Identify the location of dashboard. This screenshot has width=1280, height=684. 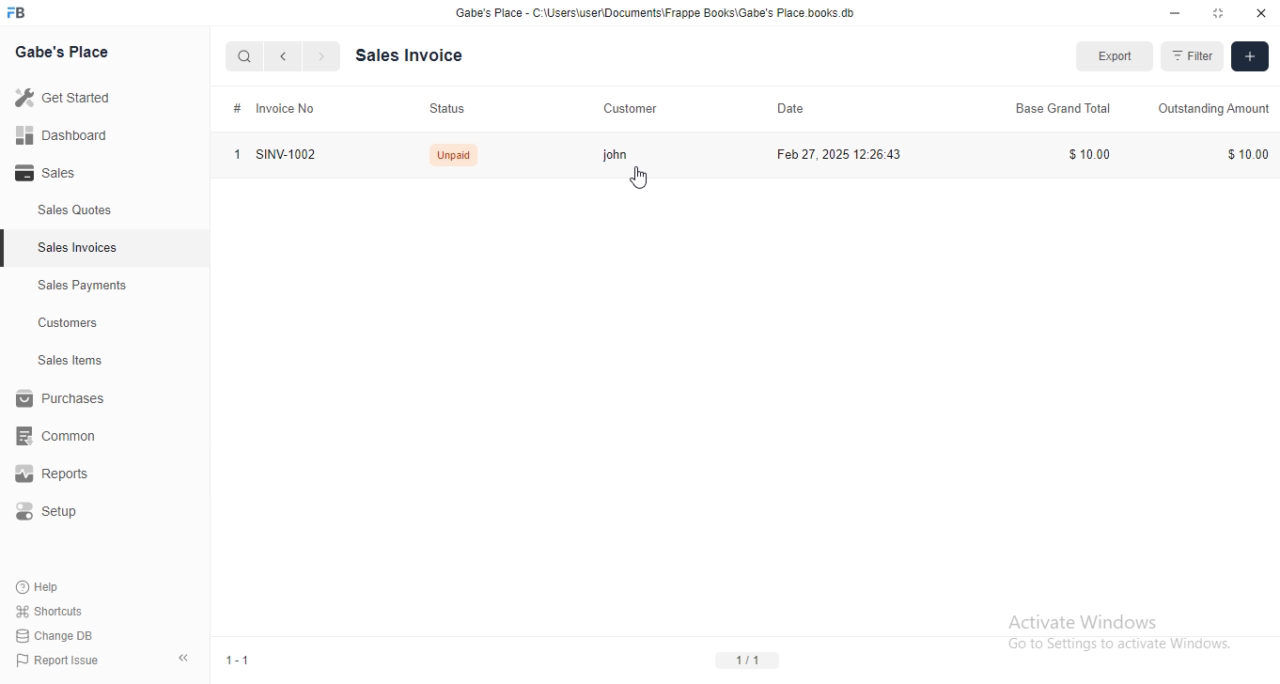
(62, 135).